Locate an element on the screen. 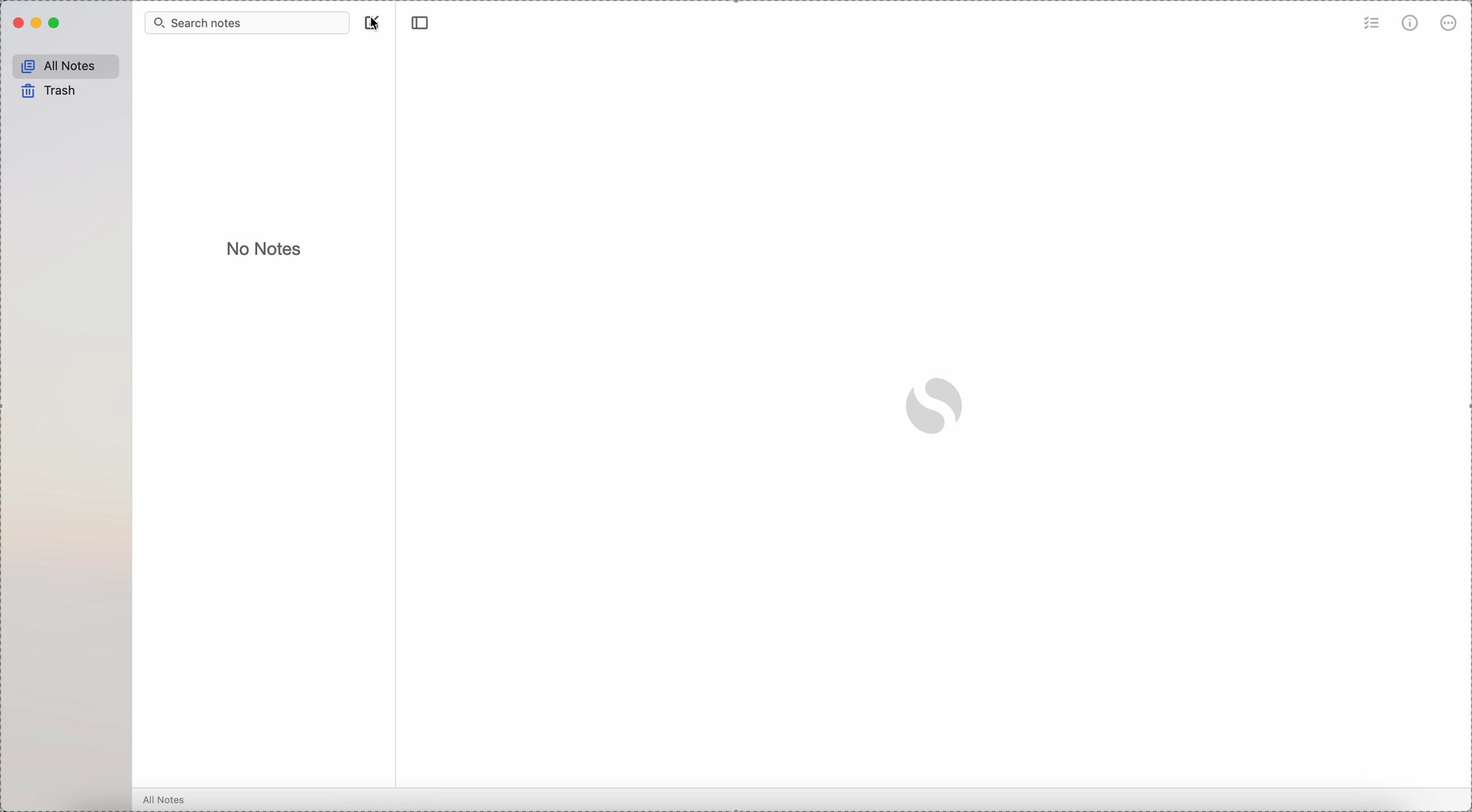 This screenshot has height=812, width=1472. check list is located at coordinates (1372, 22).